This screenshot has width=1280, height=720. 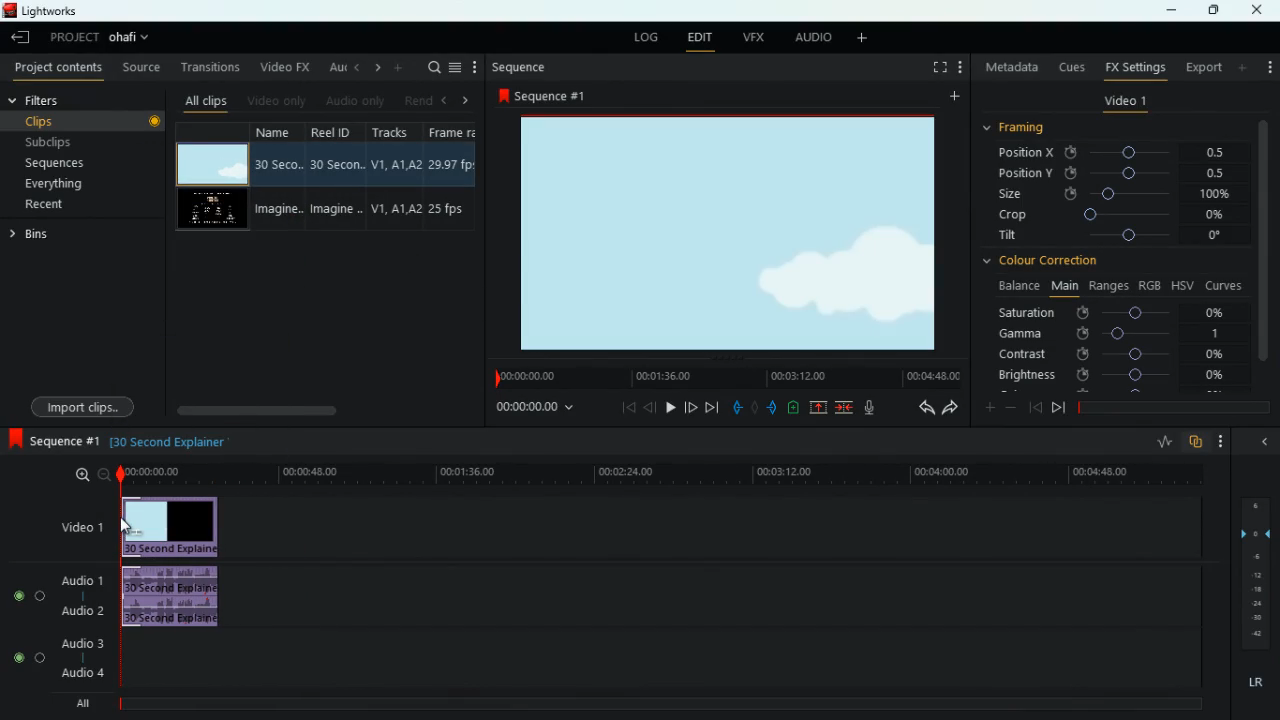 What do you see at coordinates (414, 100) in the screenshot?
I see `rend` at bounding box center [414, 100].